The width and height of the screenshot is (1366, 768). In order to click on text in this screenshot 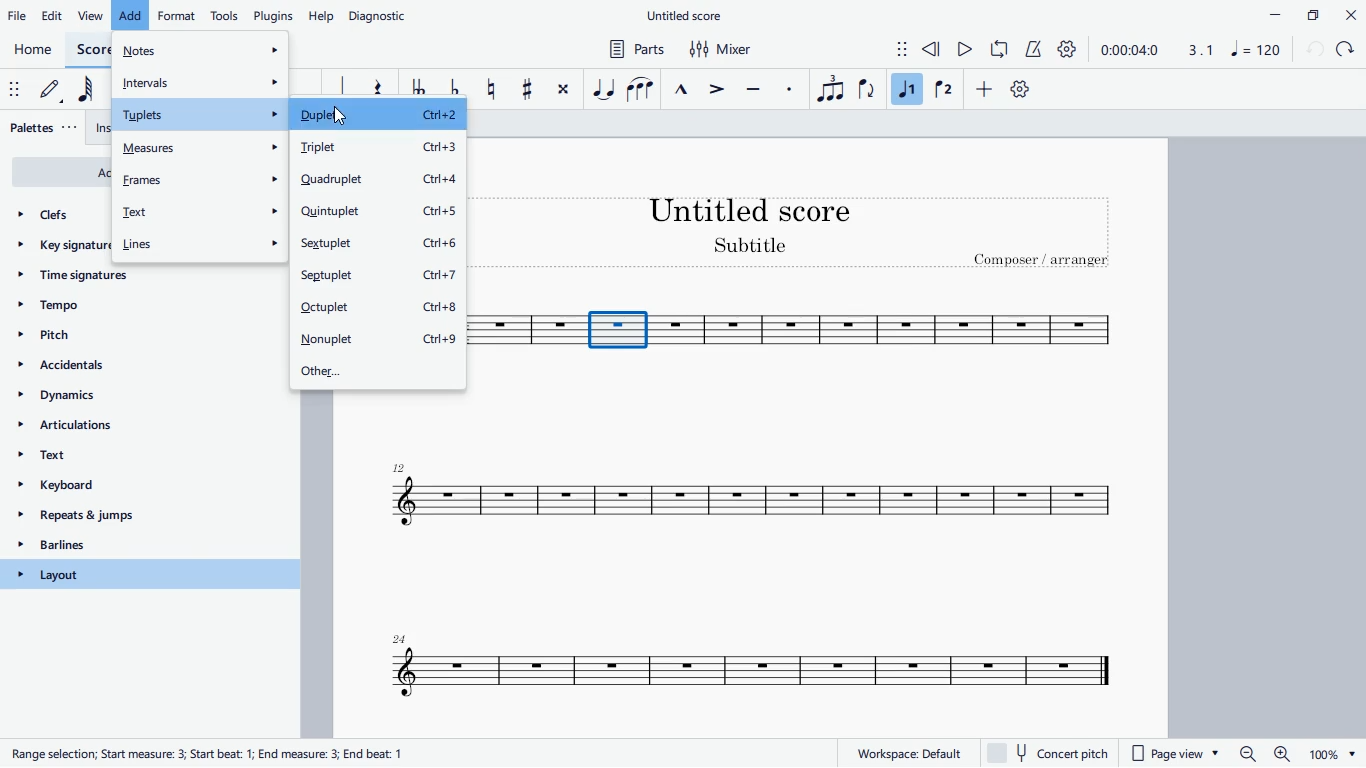, I will do `click(141, 459)`.